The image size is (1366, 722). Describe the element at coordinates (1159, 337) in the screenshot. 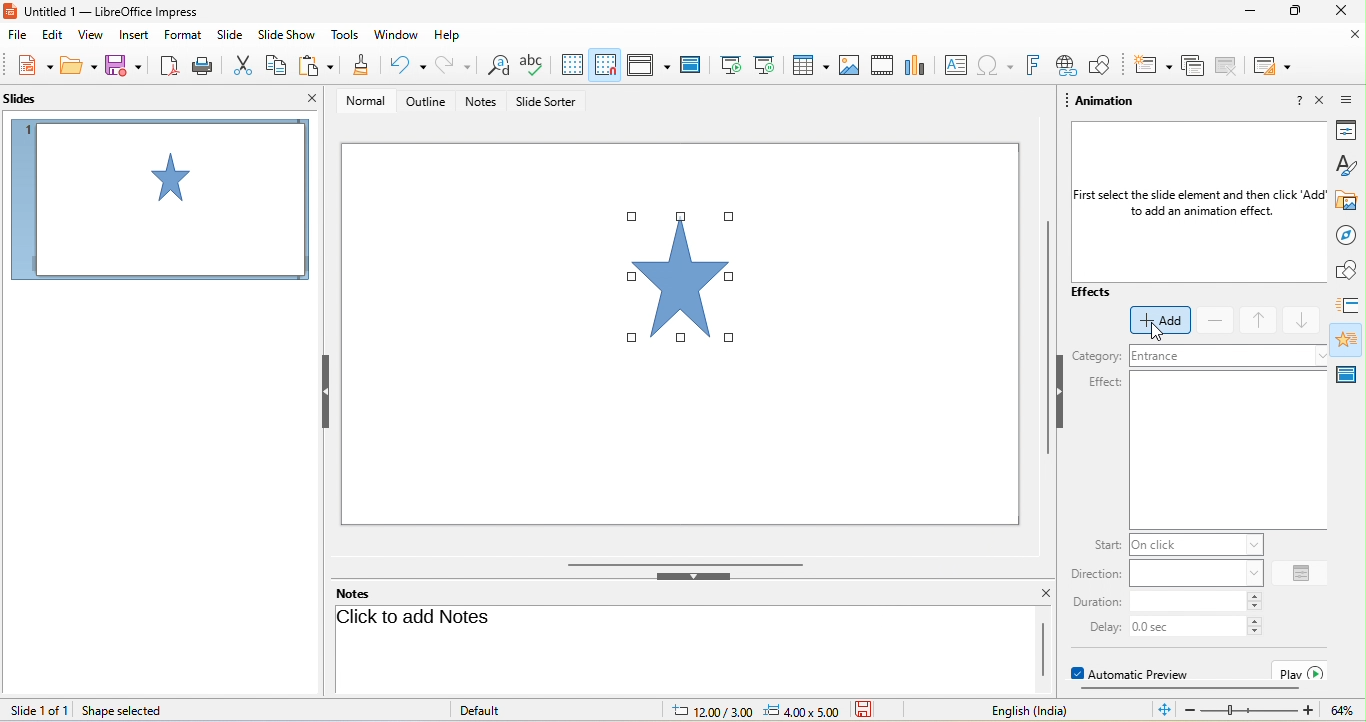

I see `cursor movement` at that location.